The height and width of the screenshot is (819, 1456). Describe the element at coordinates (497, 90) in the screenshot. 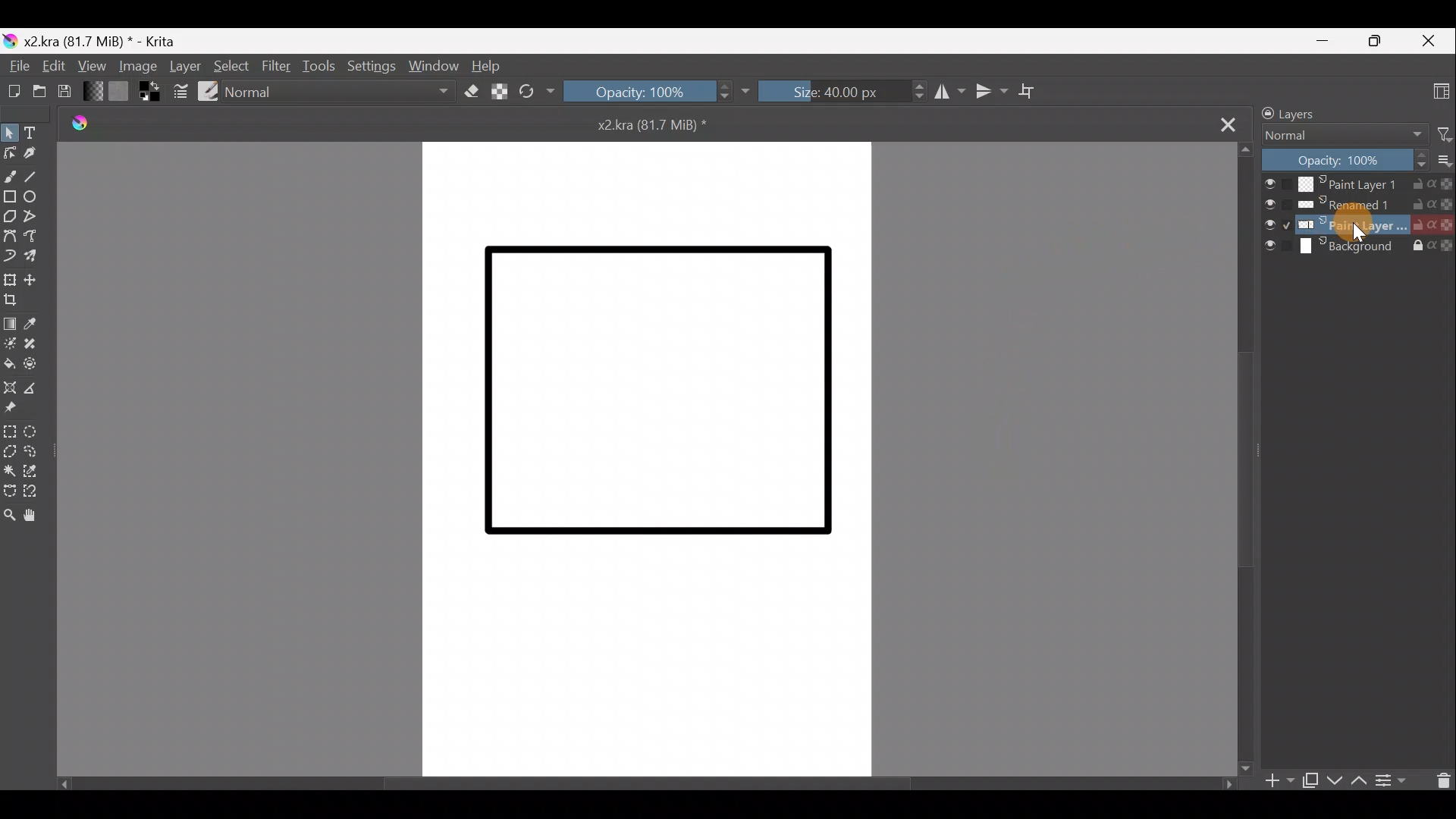

I see `Preserve Alpha` at that location.